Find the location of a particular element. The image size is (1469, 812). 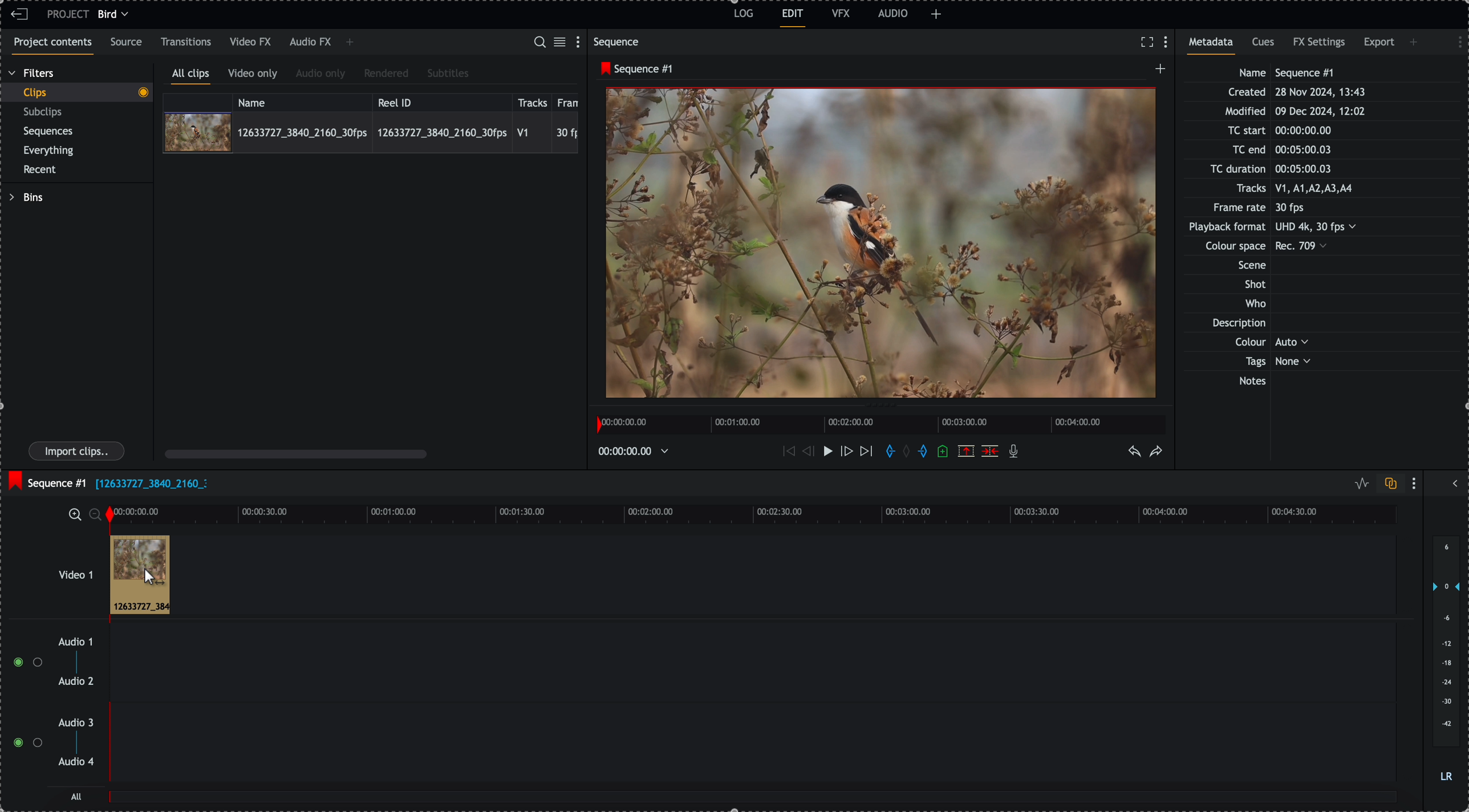

recent is located at coordinates (42, 170).